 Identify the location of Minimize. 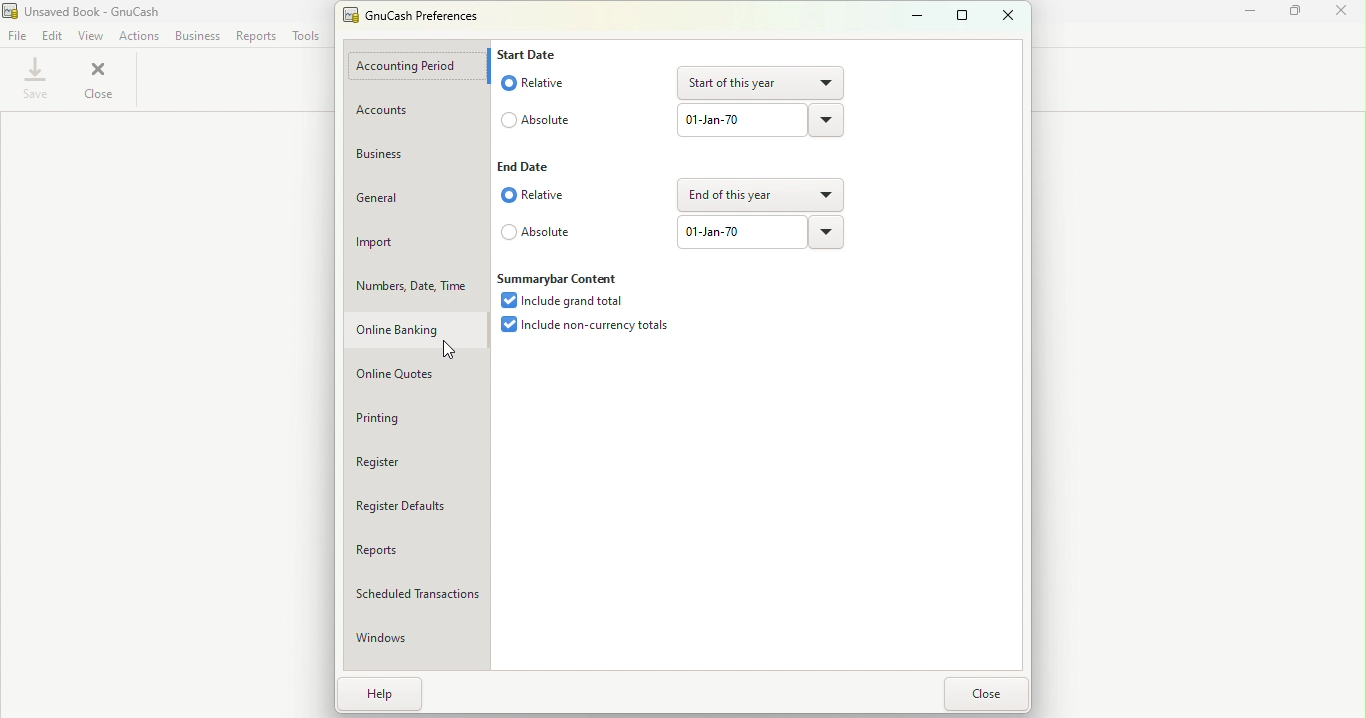
(1249, 20).